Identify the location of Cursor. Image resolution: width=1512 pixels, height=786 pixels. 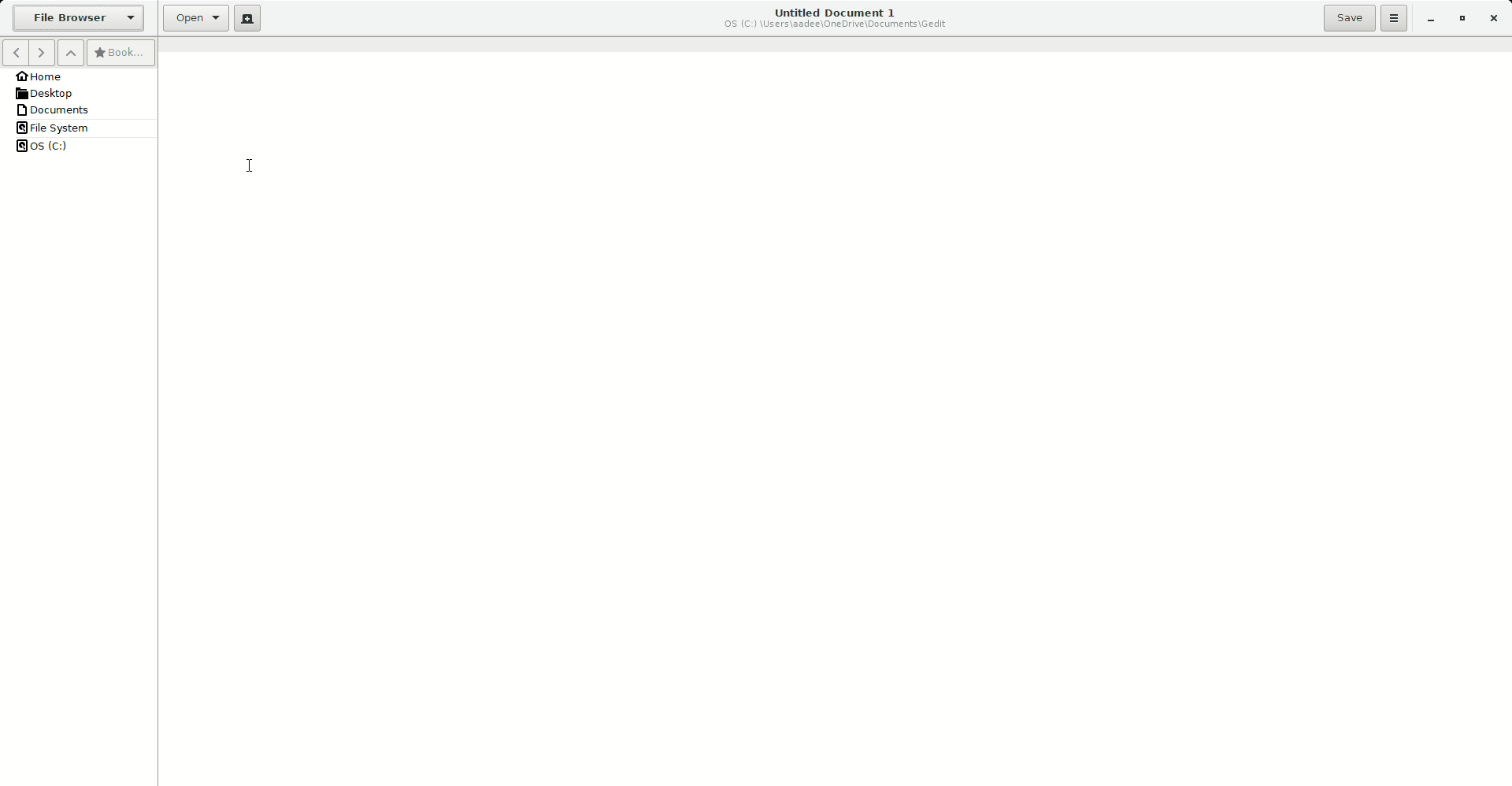
(250, 165).